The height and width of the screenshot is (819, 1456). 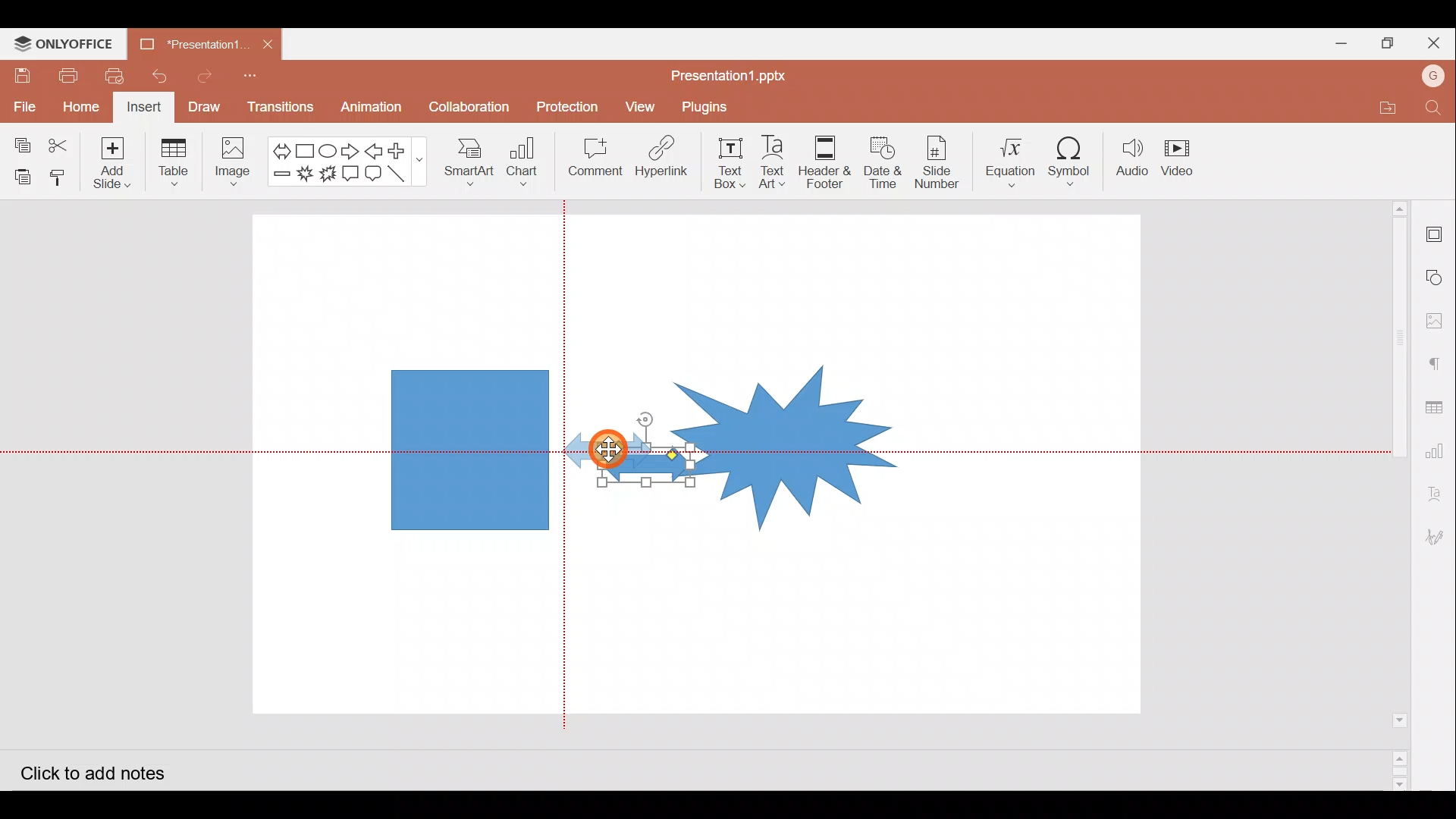 I want to click on Explosion, so click(x=786, y=429).